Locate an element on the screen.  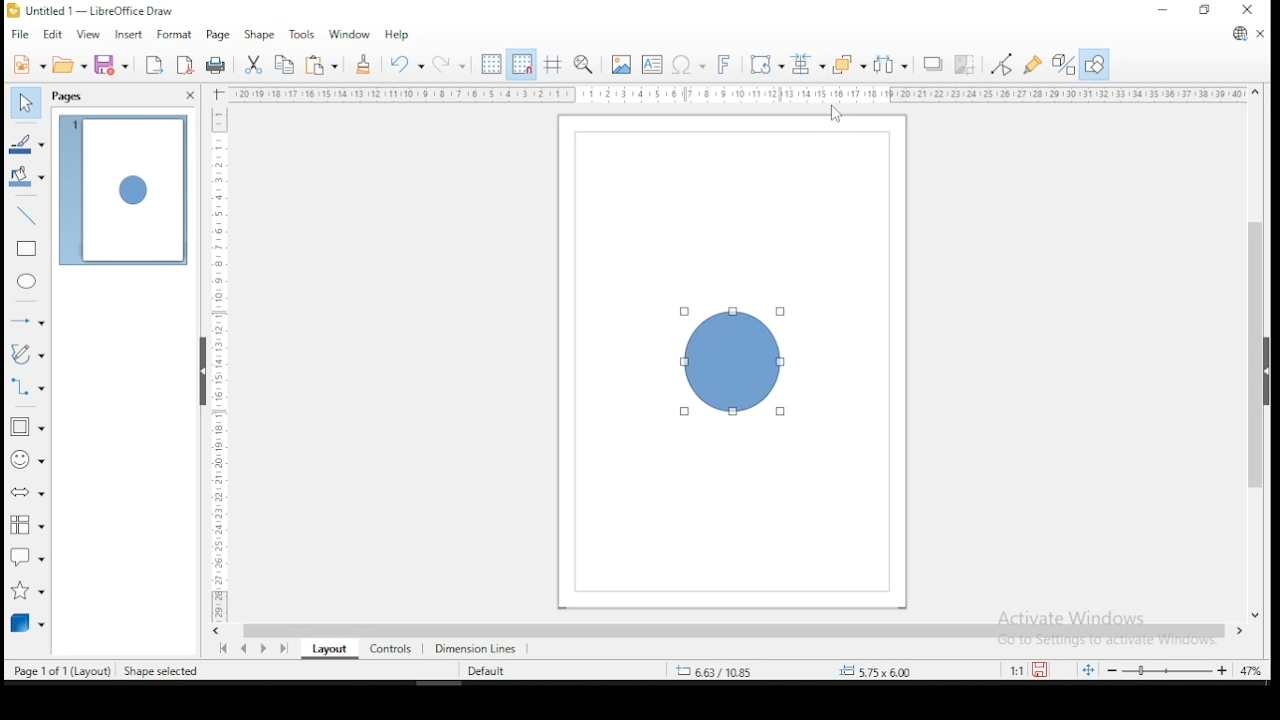
insert line is located at coordinates (27, 213).